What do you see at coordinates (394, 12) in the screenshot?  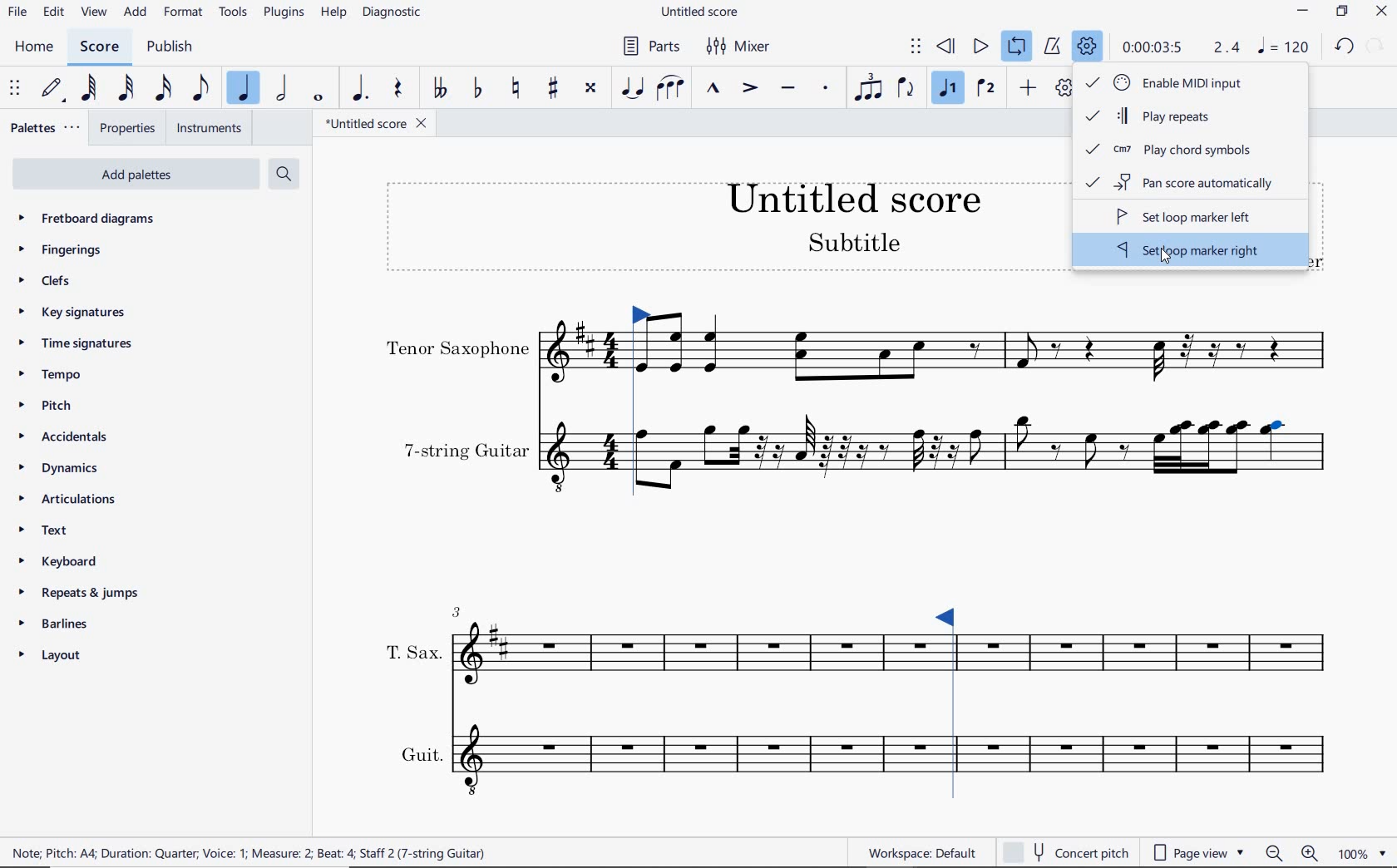 I see `DIAGNOSTIC` at bounding box center [394, 12].